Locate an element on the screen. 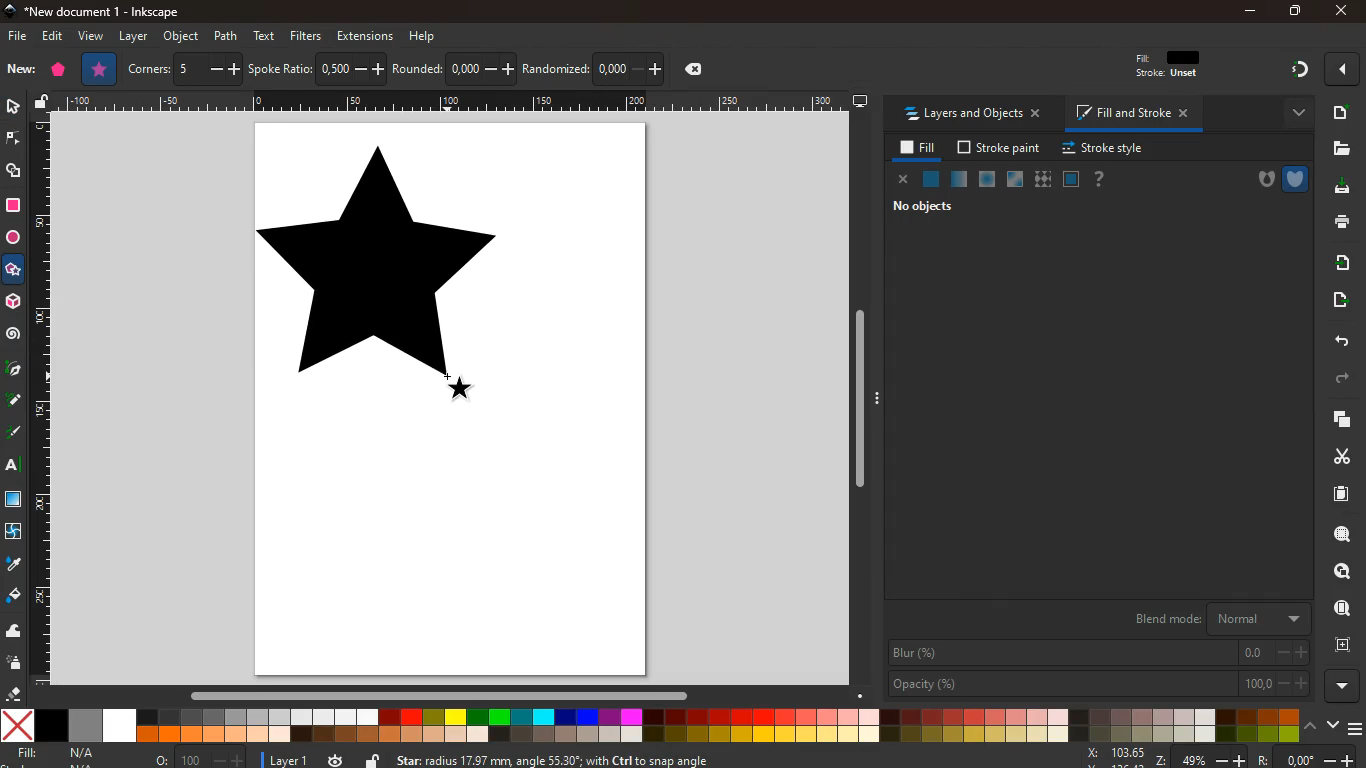 The image size is (1366, 768). more is located at coordinates (1340, 71).